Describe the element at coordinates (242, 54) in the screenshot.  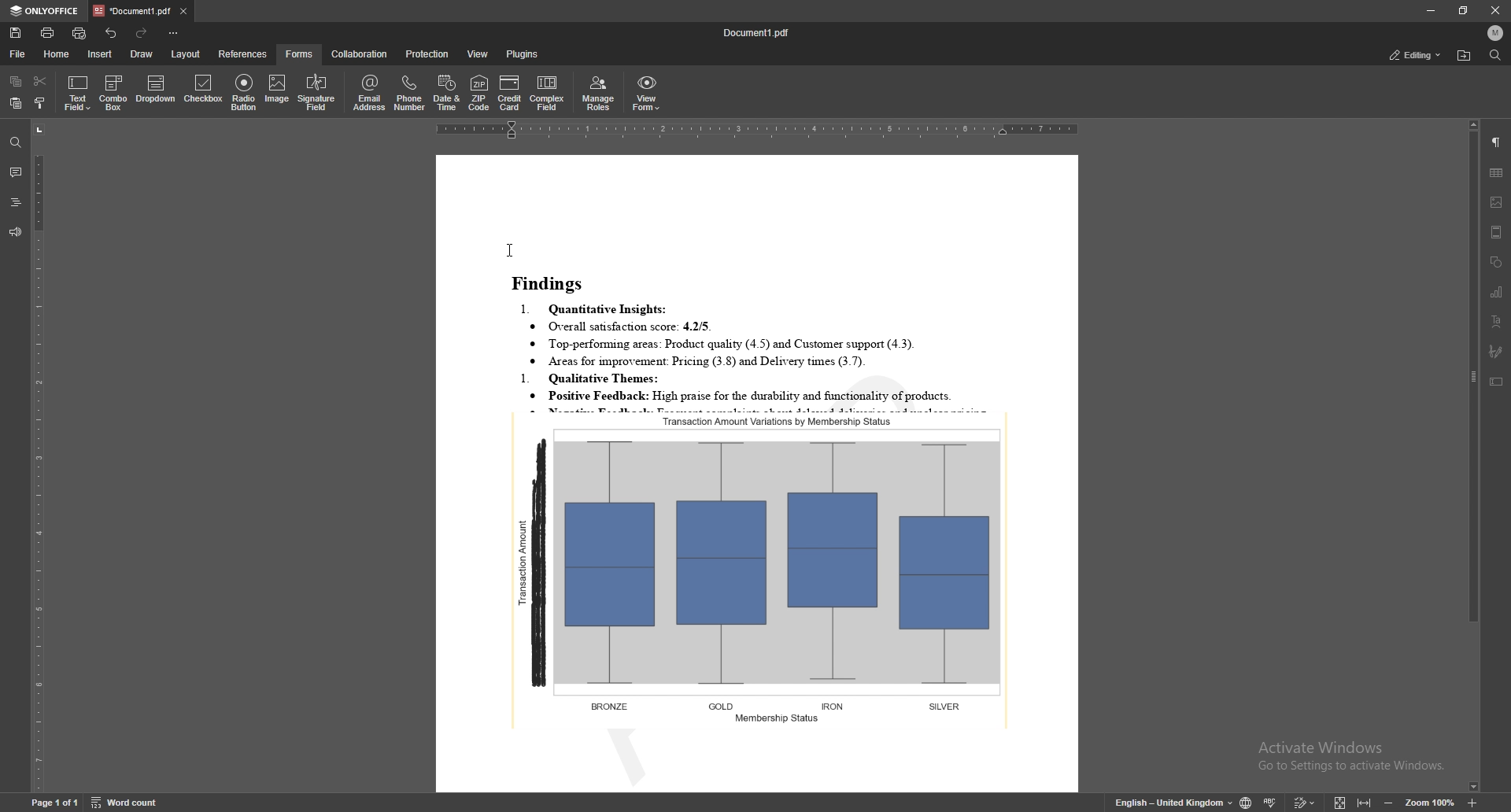
I see `references` at that location.